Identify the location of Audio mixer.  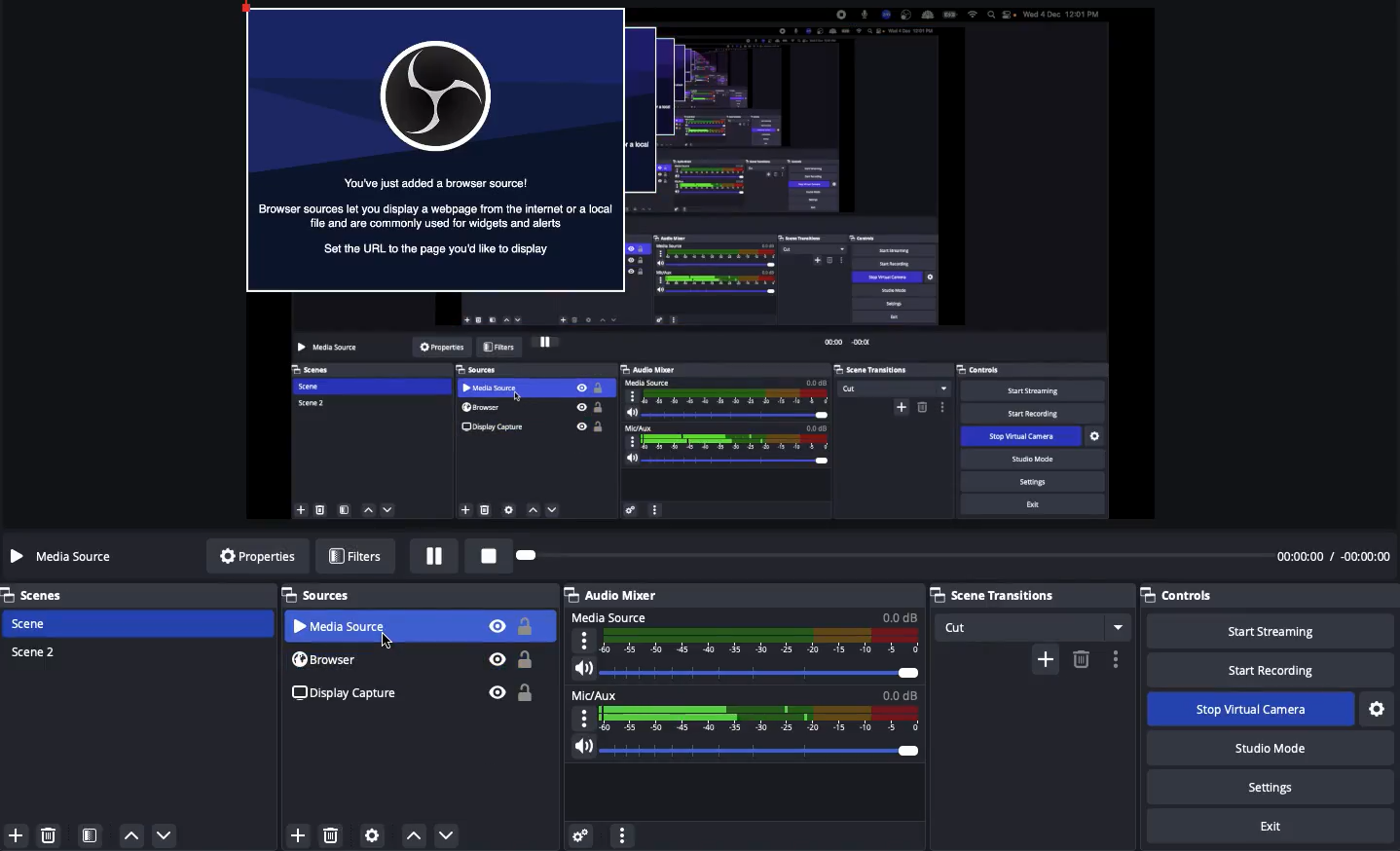
(742, 595).